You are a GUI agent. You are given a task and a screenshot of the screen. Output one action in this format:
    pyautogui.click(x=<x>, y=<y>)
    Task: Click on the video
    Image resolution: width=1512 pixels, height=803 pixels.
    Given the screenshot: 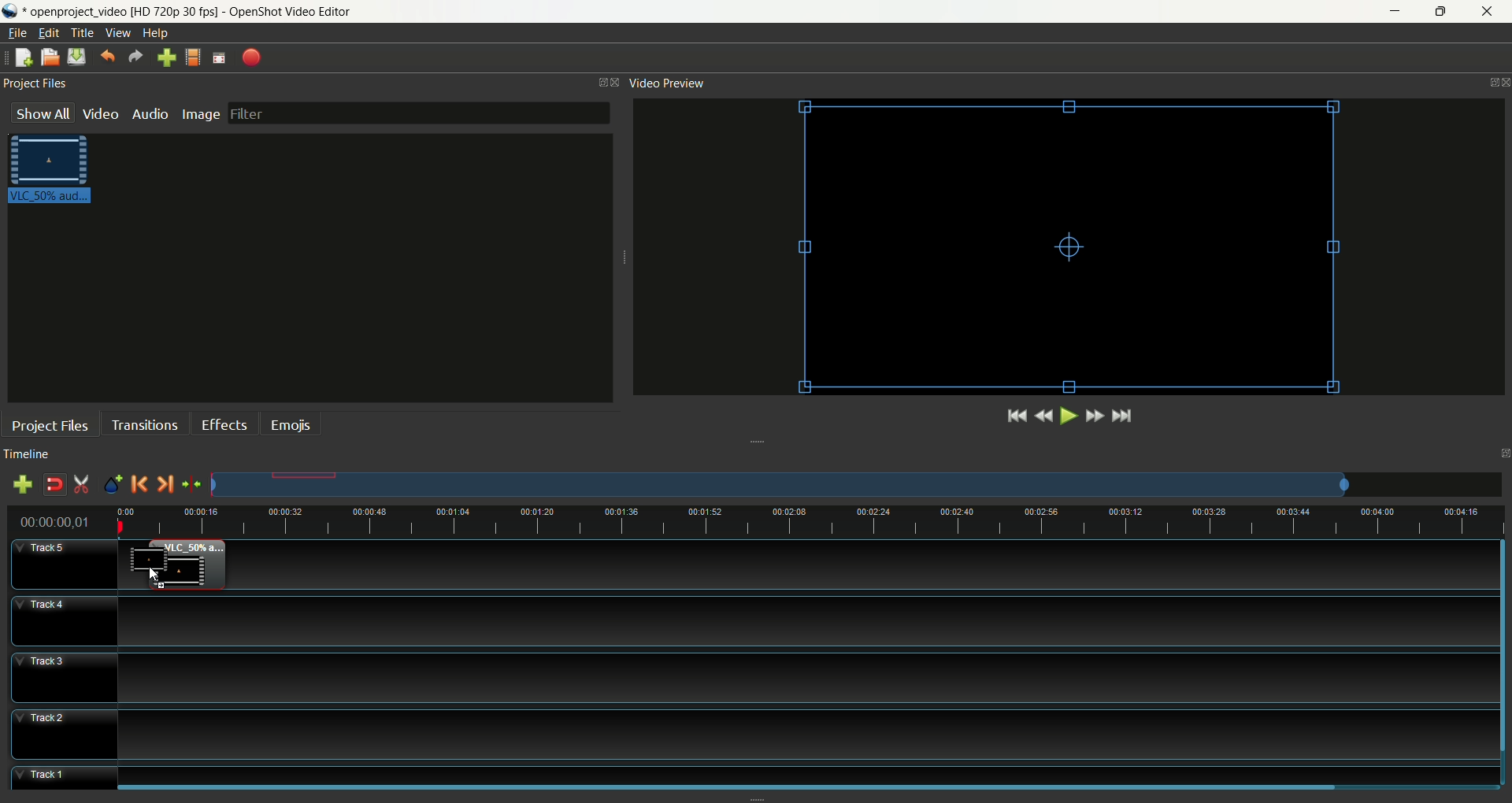 What is the action you would take?
    pyautogui.click(x=100, y=117)
    